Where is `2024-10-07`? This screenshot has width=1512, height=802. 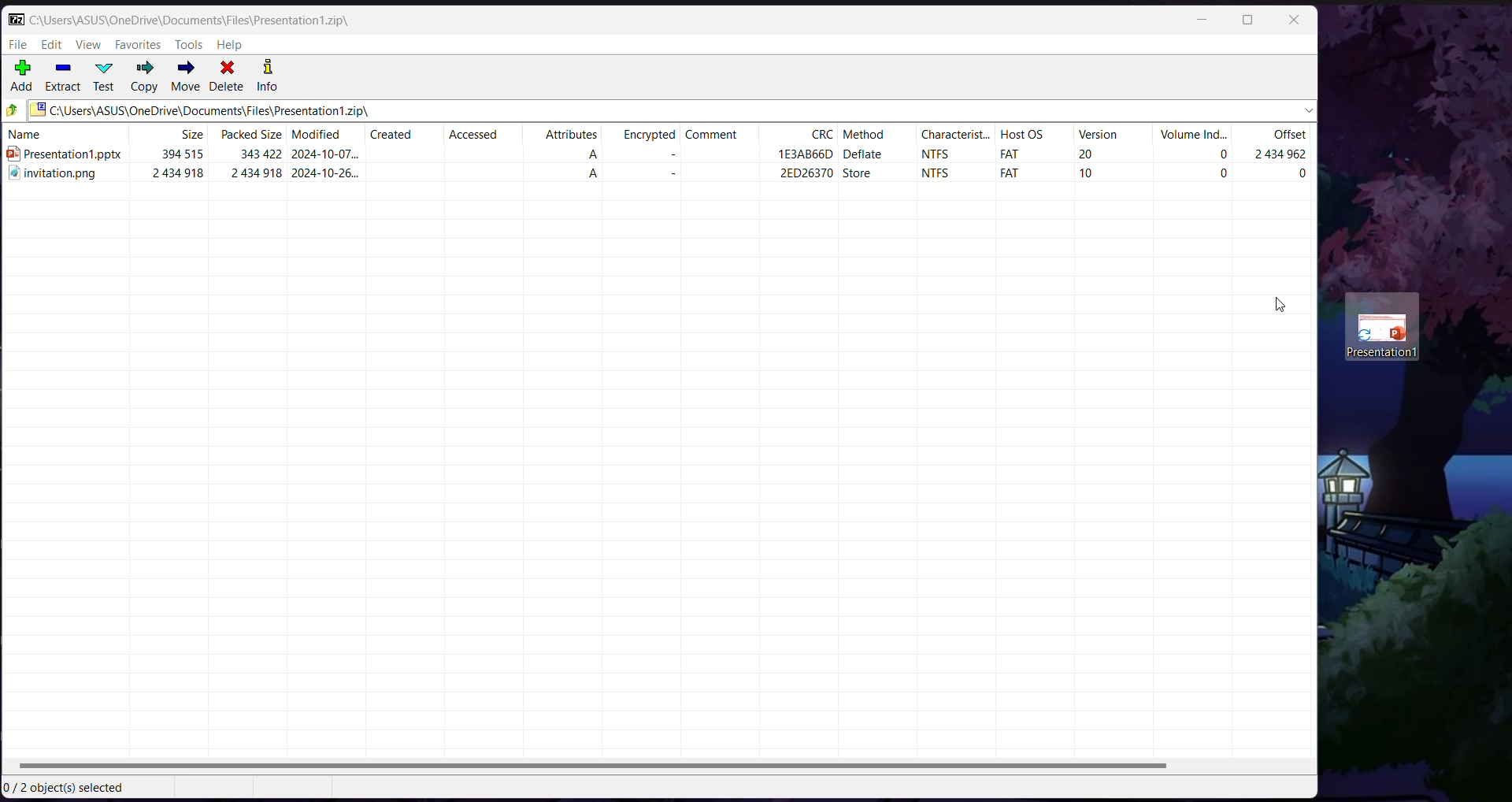
2024-10-07 is located at coordinates (325, 154).